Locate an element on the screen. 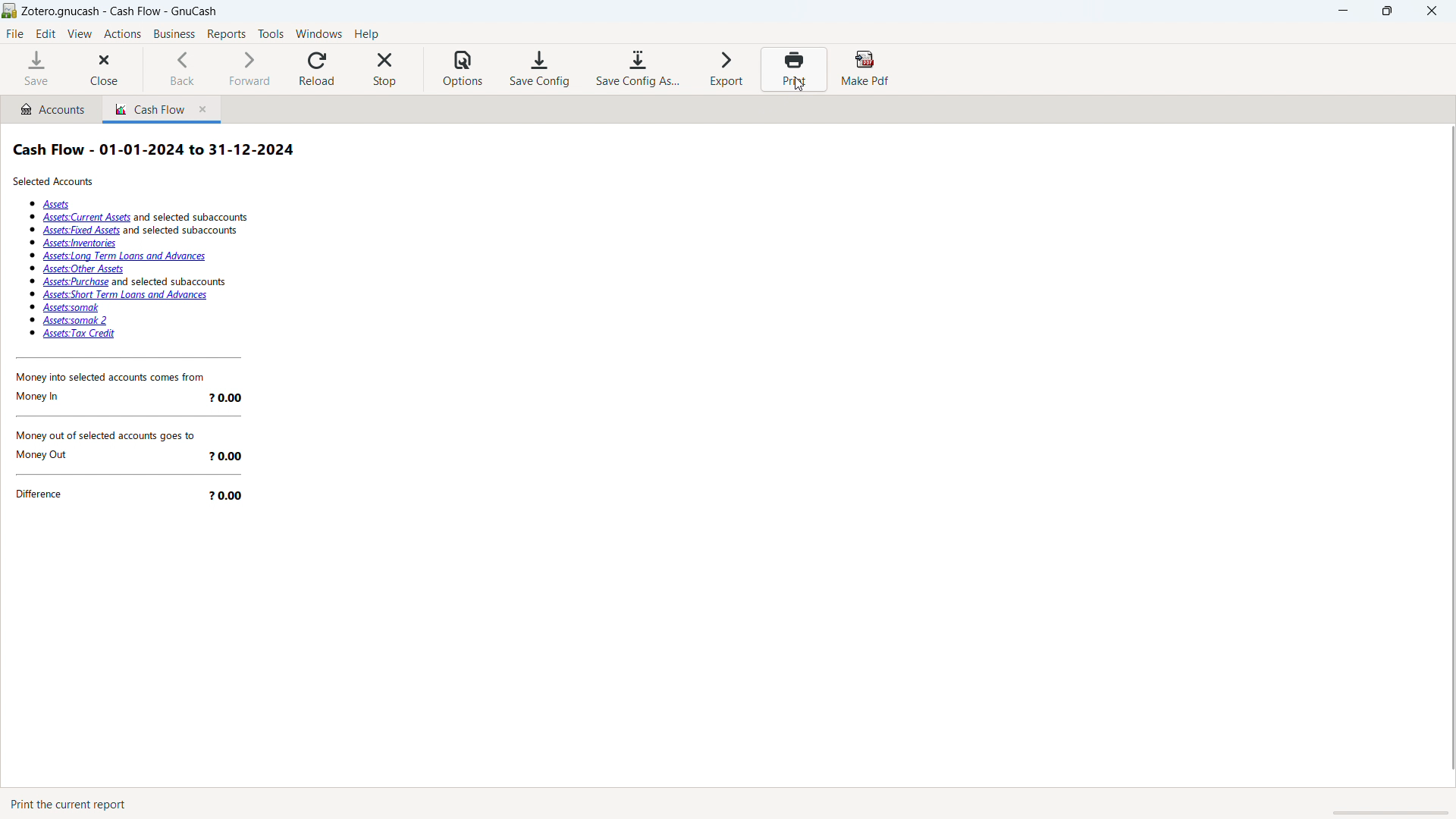 The width and height of the screenshot is (1456, 819). close tab is located at coordinates (204, 108).